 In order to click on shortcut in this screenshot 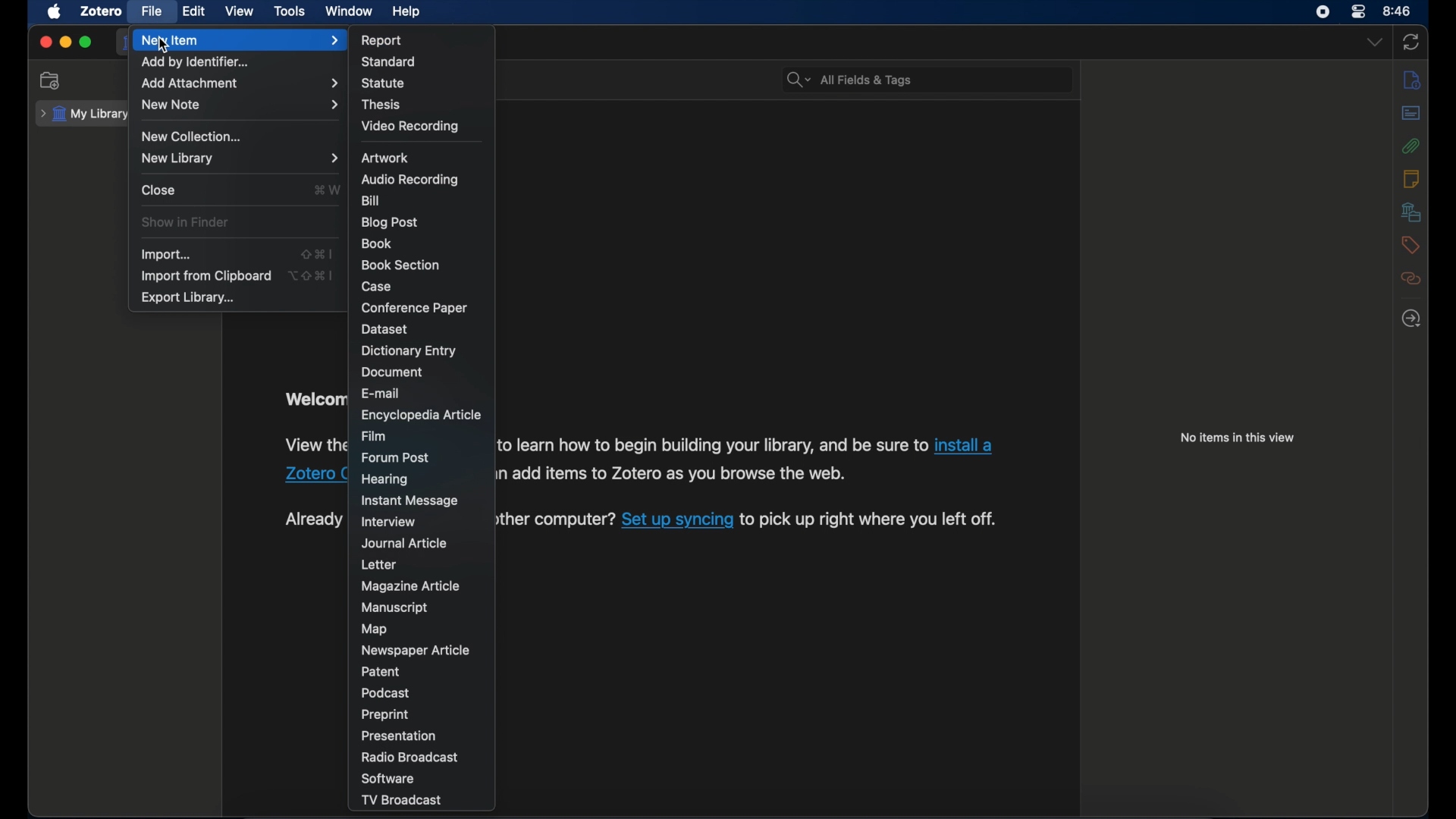, I will do `click(315, 253)`.